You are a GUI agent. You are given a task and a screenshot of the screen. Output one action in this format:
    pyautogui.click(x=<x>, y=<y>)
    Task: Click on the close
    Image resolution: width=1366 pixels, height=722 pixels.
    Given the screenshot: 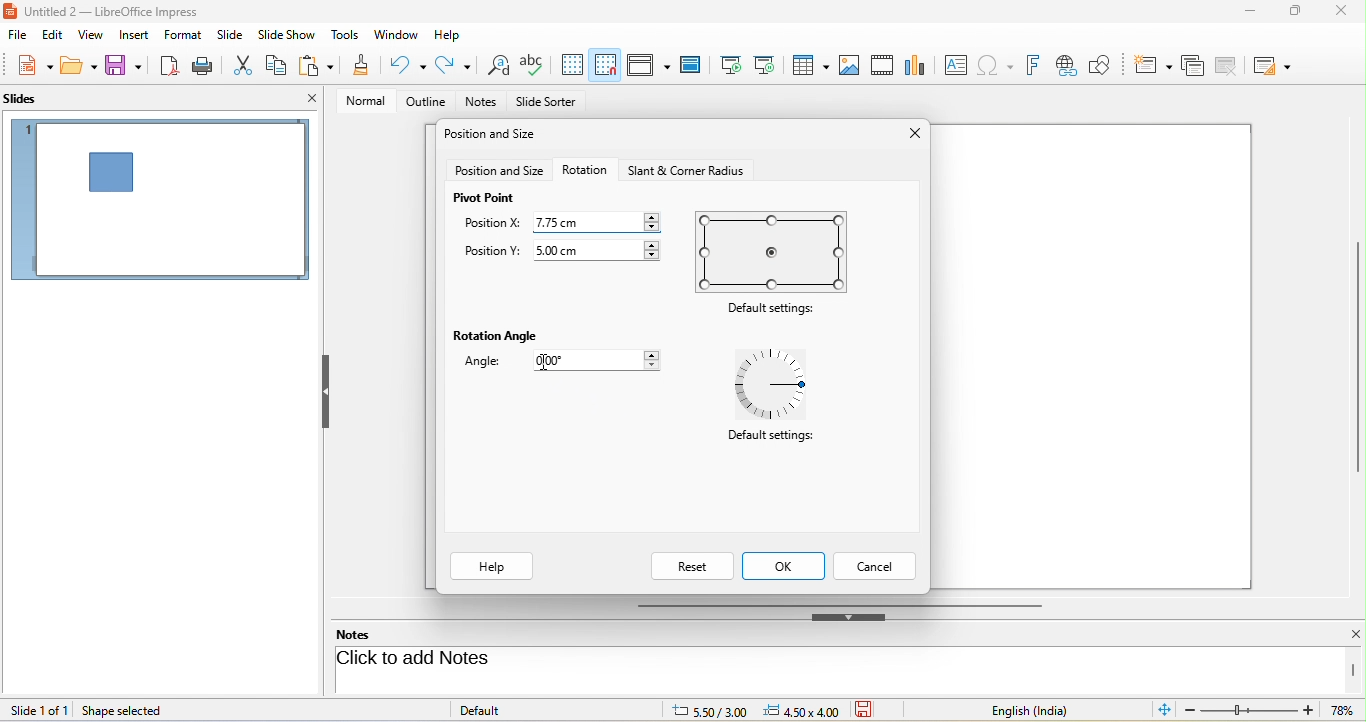 What is the action you would take?
    pyautogui.click(x=1344, y=635)
    